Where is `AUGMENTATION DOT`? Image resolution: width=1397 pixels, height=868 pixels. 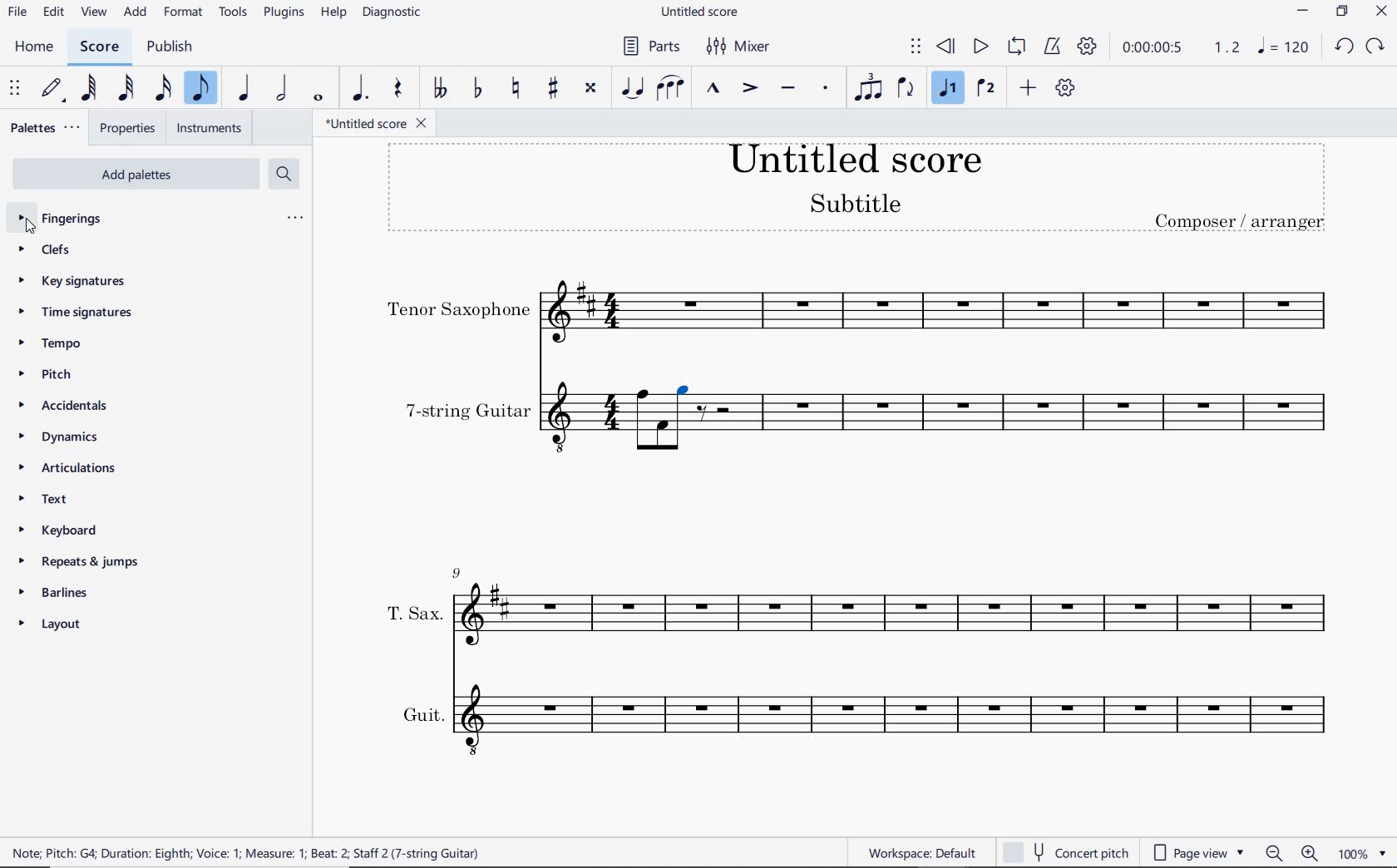 AUGMENTATION DOT is located at coordinates (360, 89).